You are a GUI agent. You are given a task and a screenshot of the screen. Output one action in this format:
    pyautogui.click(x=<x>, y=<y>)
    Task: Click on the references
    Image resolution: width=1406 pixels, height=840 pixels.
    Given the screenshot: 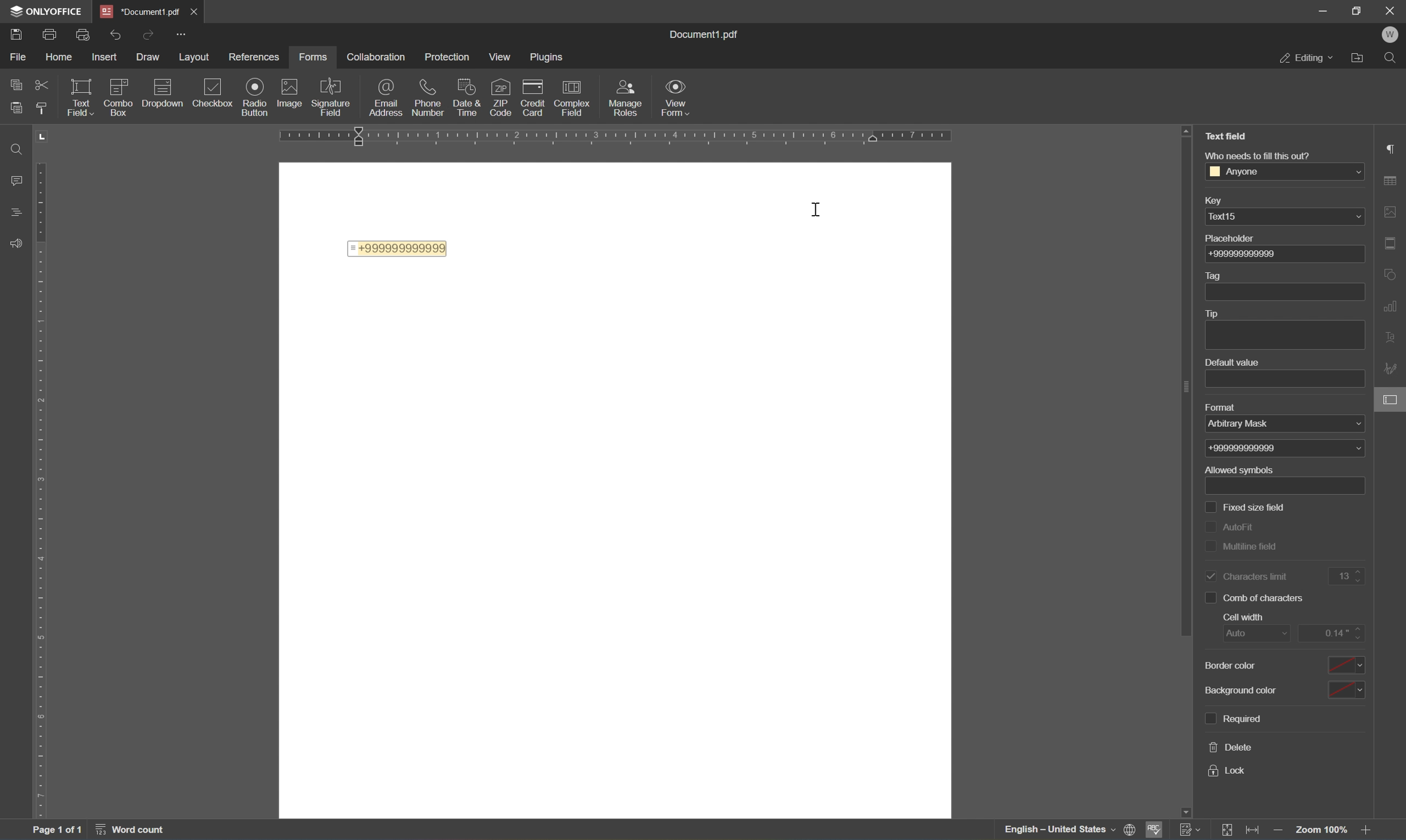 What is the action you would take?
    pyautogui.click(x=253, y=57)
    